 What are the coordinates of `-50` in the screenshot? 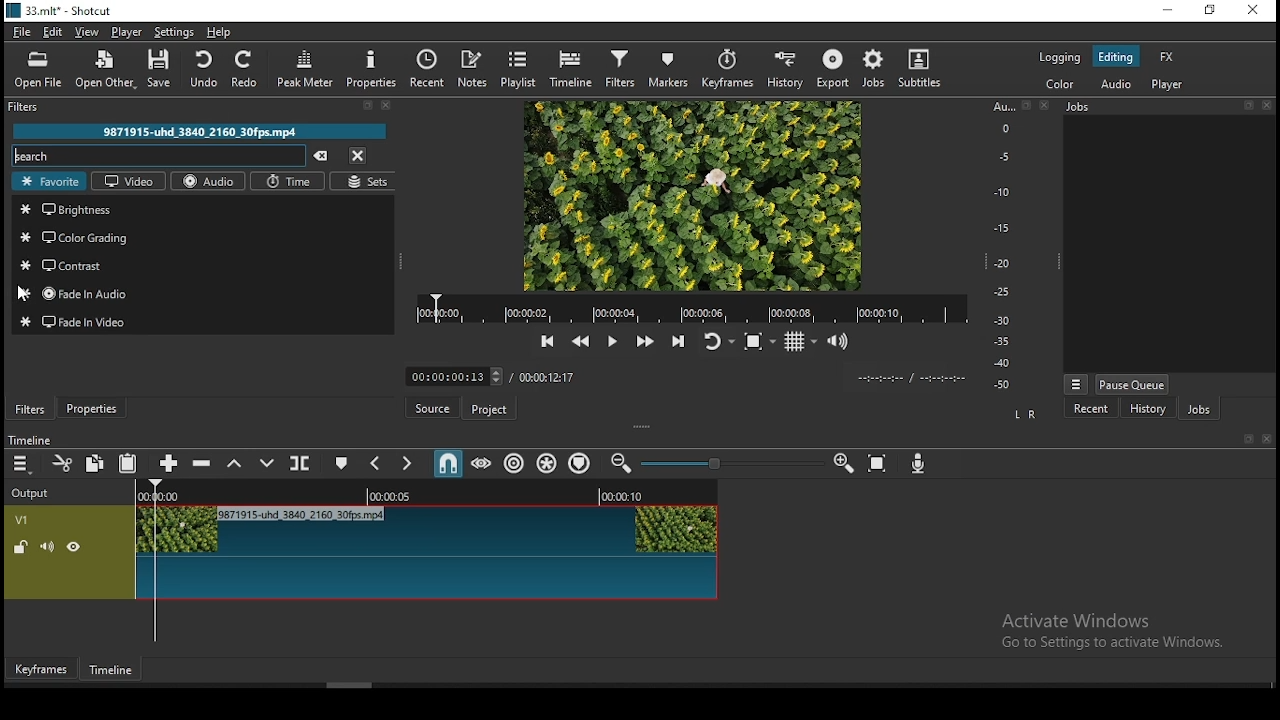 It's located at (1003, 386).